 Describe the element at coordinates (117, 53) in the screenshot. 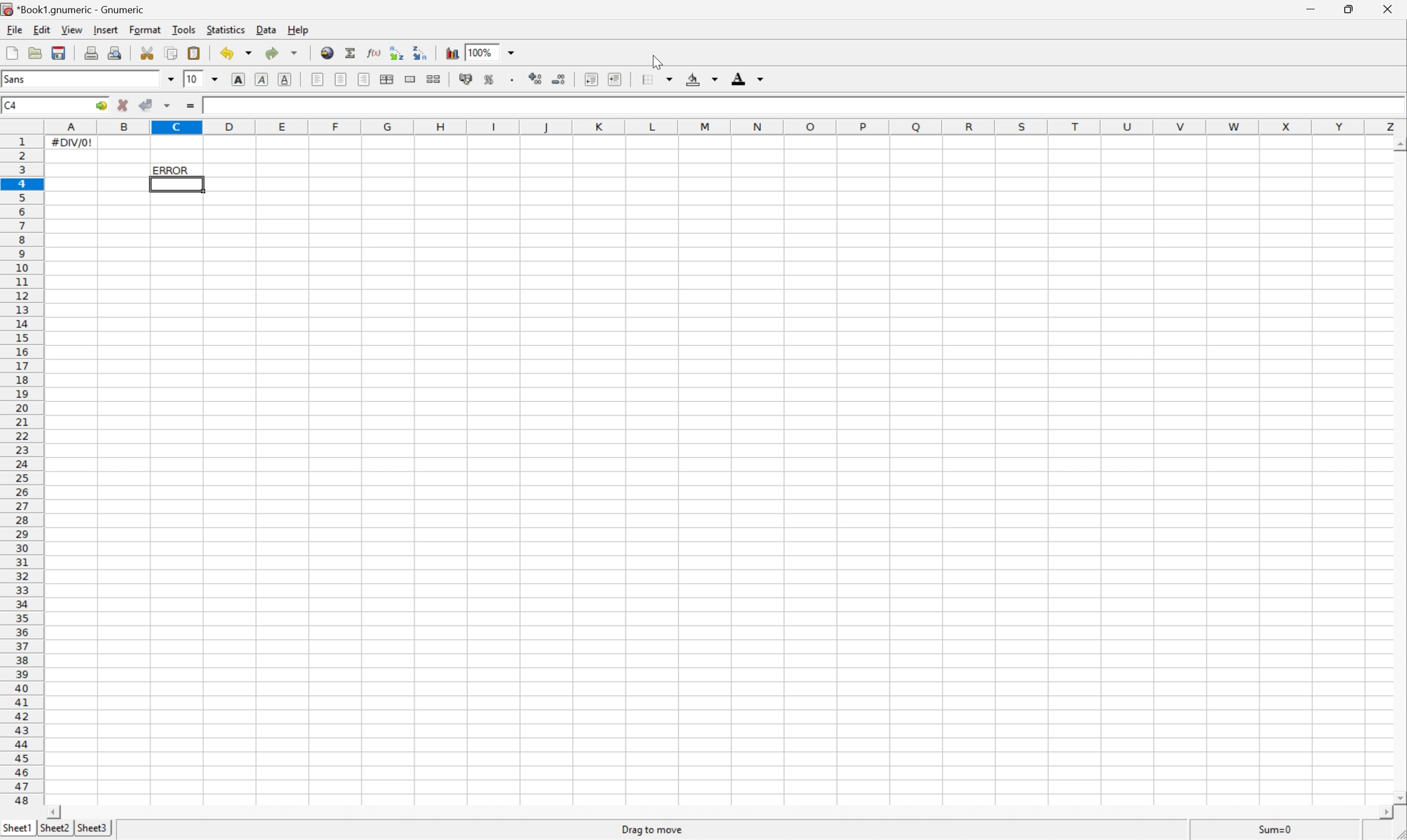

I see `Print preview` at that location.